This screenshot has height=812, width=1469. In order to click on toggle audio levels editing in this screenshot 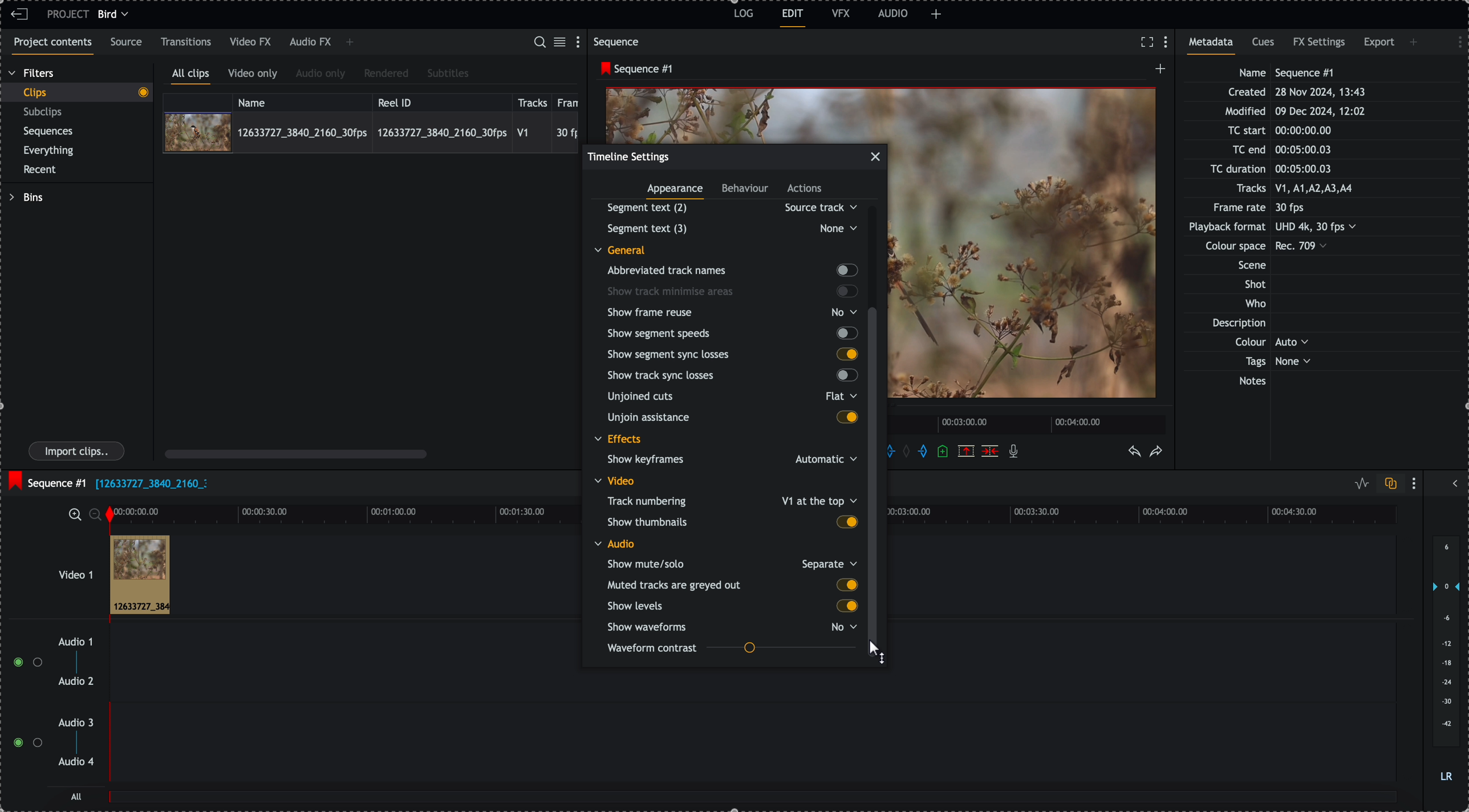, I will do `click(1359, 484)`.